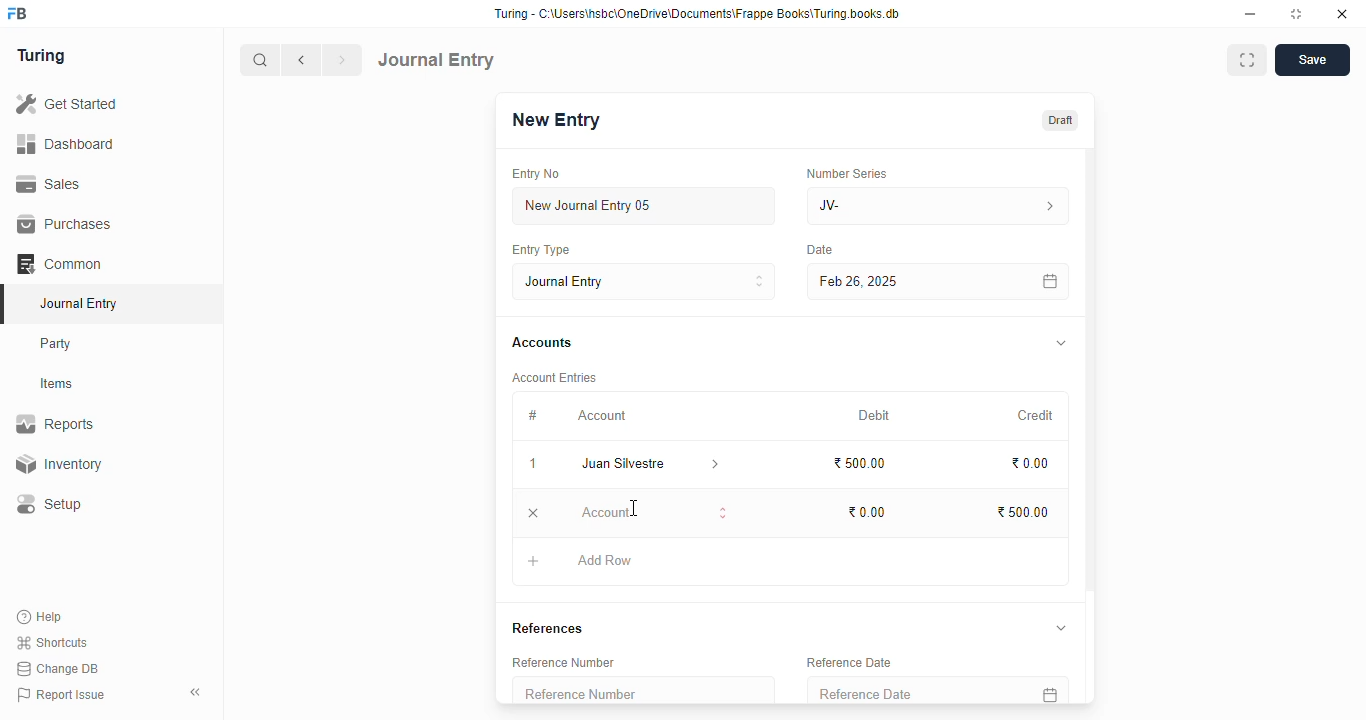  I want to click on save, so click(1312, 60).